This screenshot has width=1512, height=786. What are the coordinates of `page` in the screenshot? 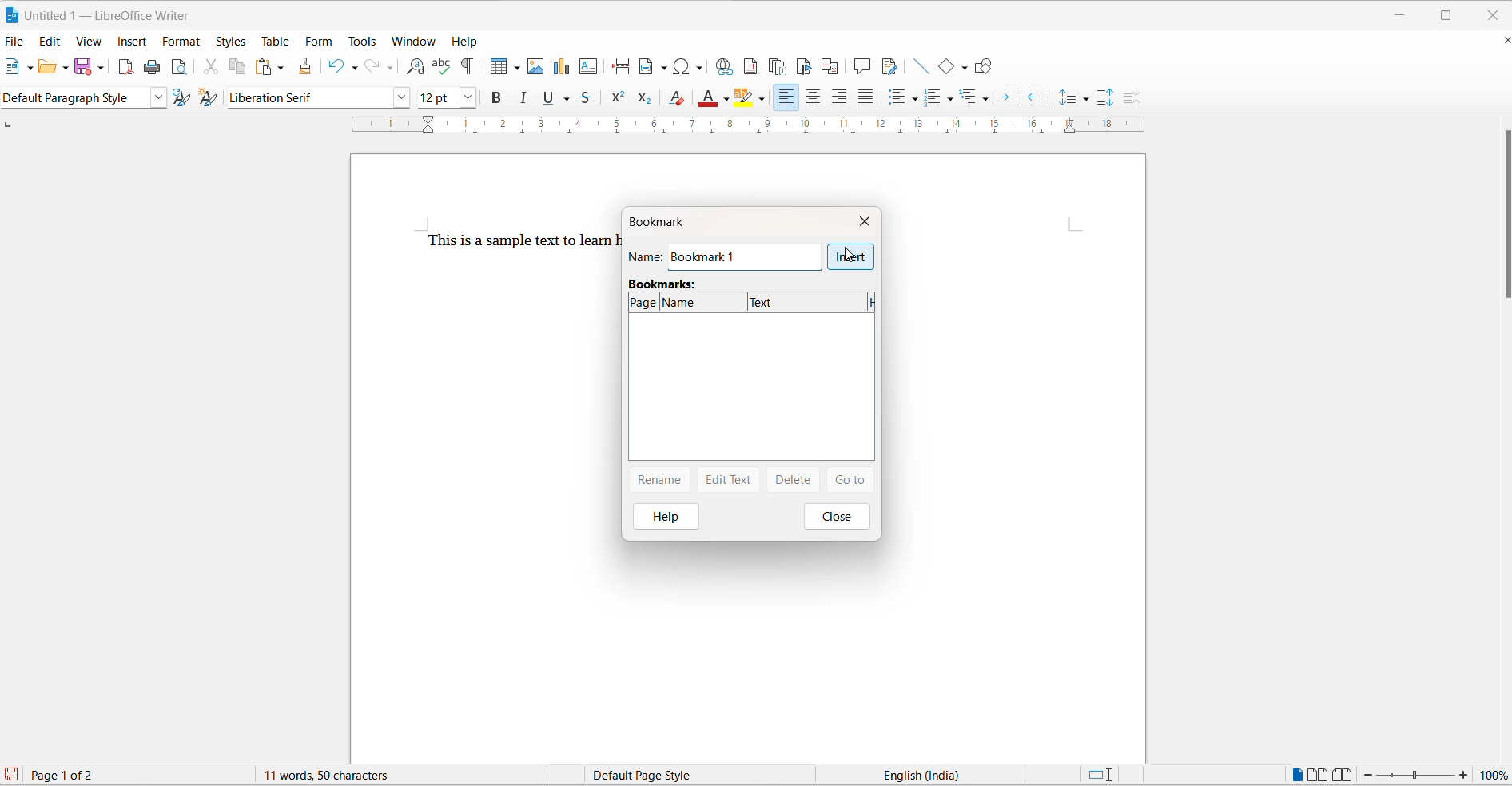 It's located at (645, 302).